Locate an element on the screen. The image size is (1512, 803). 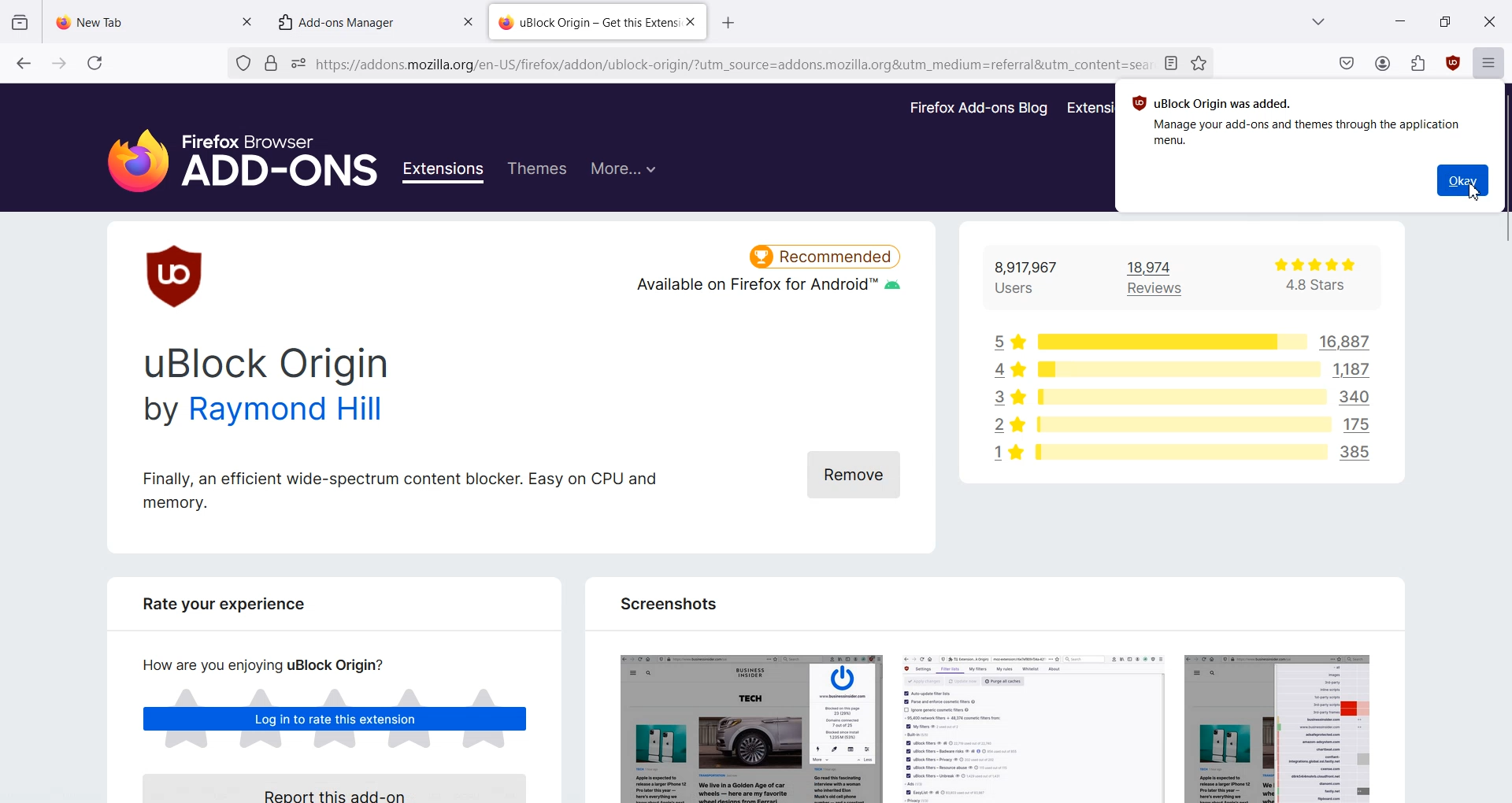
Go forward to one page is located at coordinates (58, 62).